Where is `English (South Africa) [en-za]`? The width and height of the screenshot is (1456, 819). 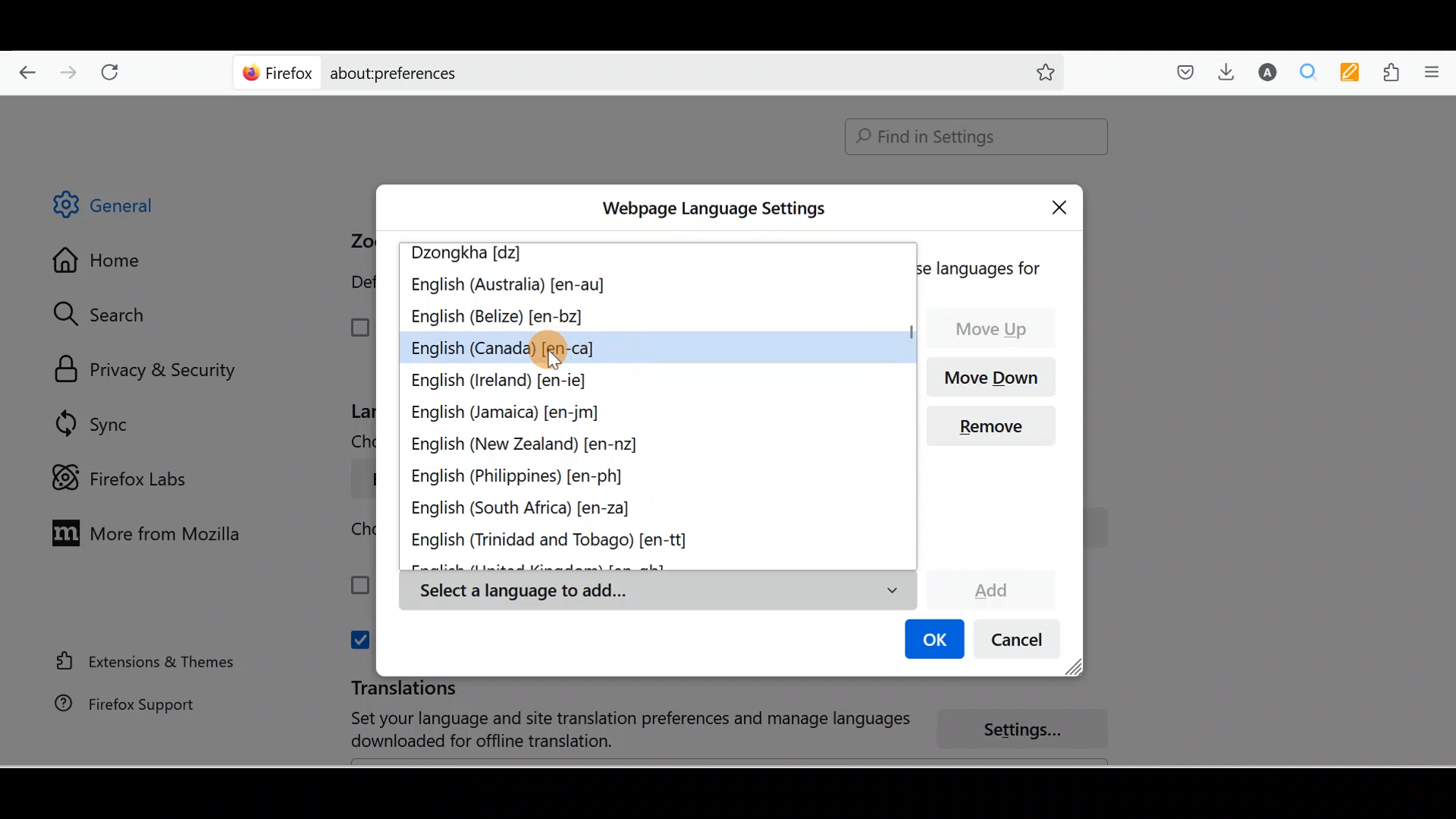
English (South Africa) [en-za] is located at coordinates (531, 510).